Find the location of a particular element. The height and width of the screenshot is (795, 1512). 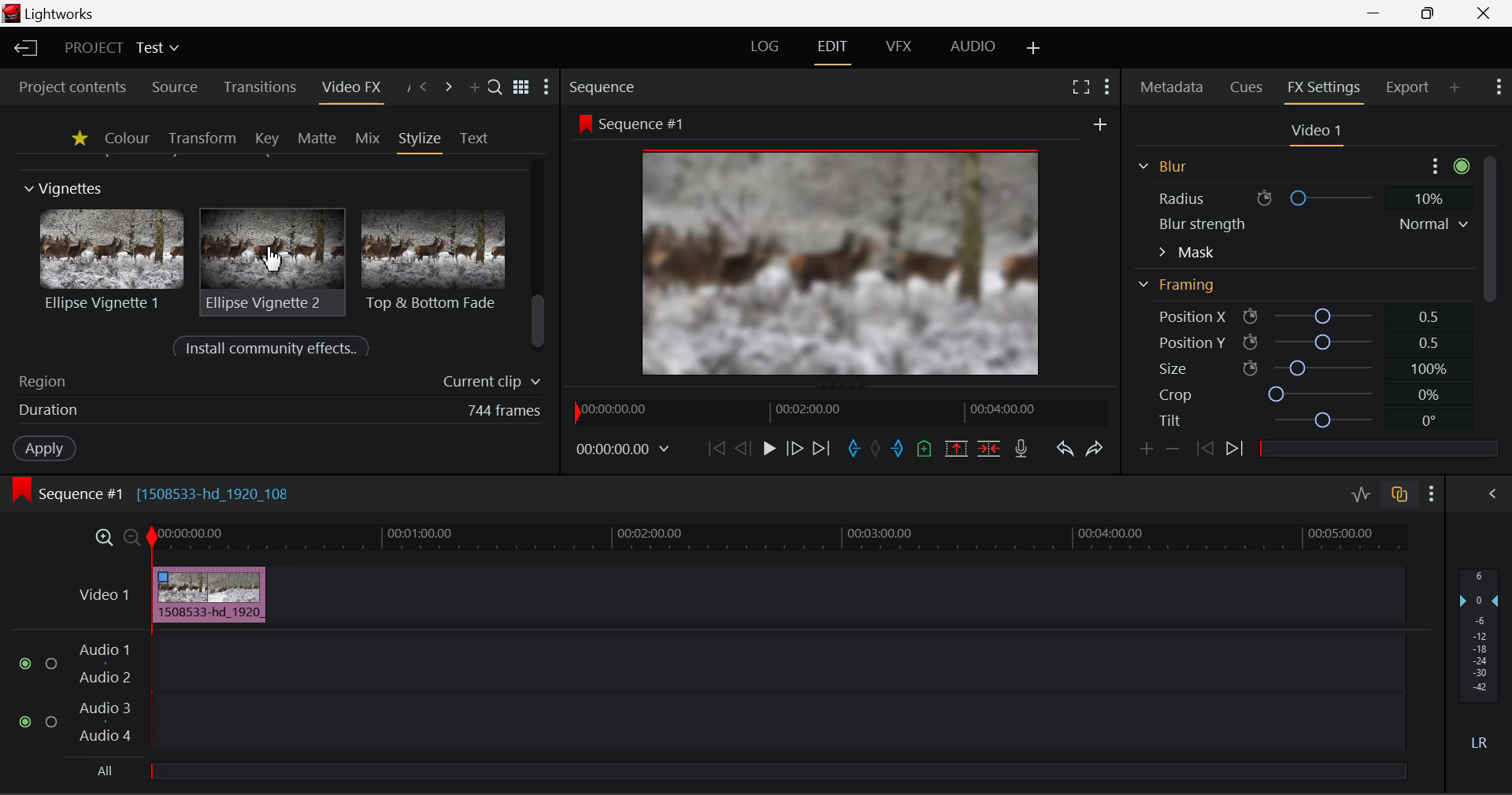

Source is located at coordinates (172, 86).